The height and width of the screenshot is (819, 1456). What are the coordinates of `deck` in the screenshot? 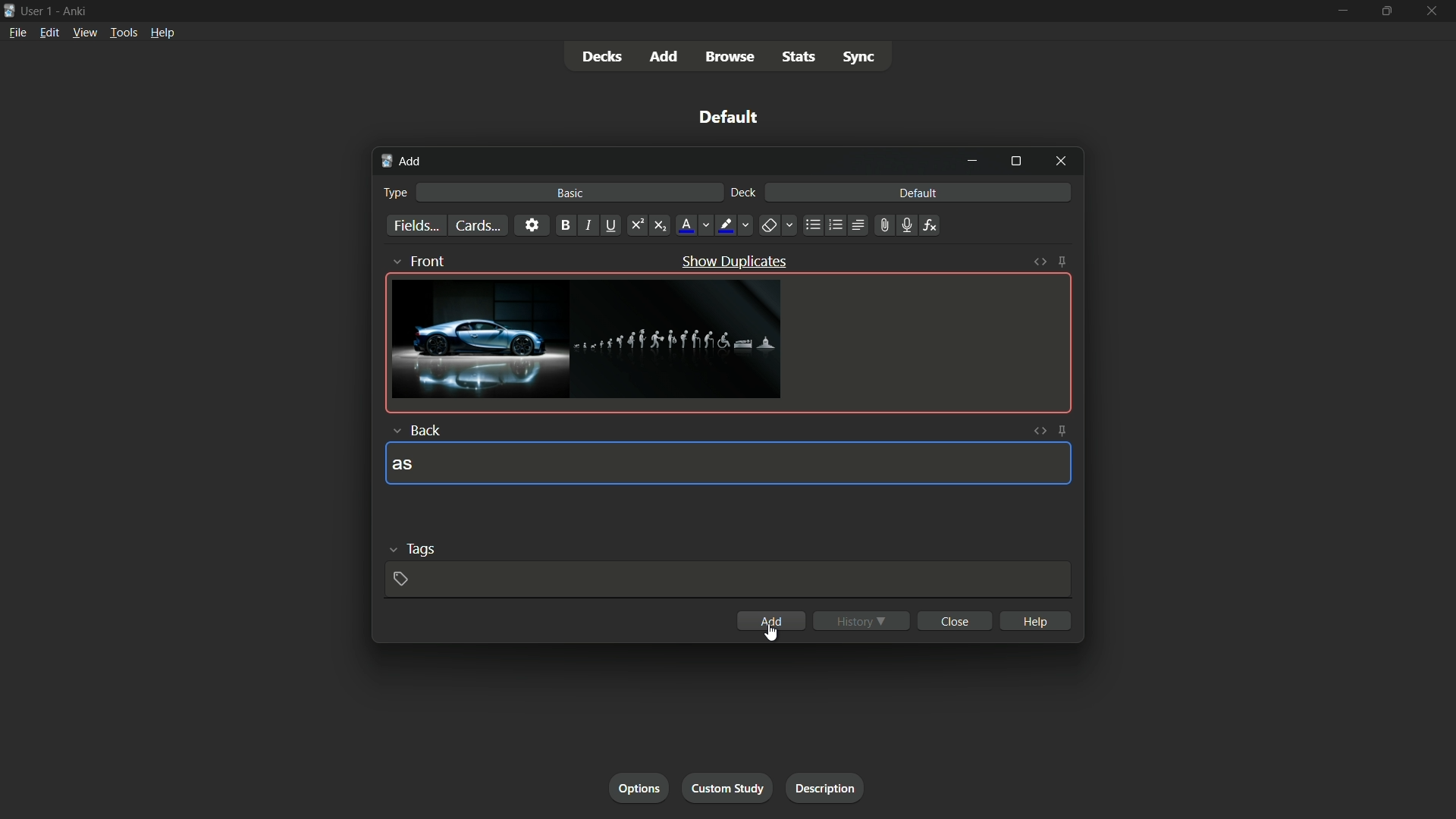 It's located at (744, 193).